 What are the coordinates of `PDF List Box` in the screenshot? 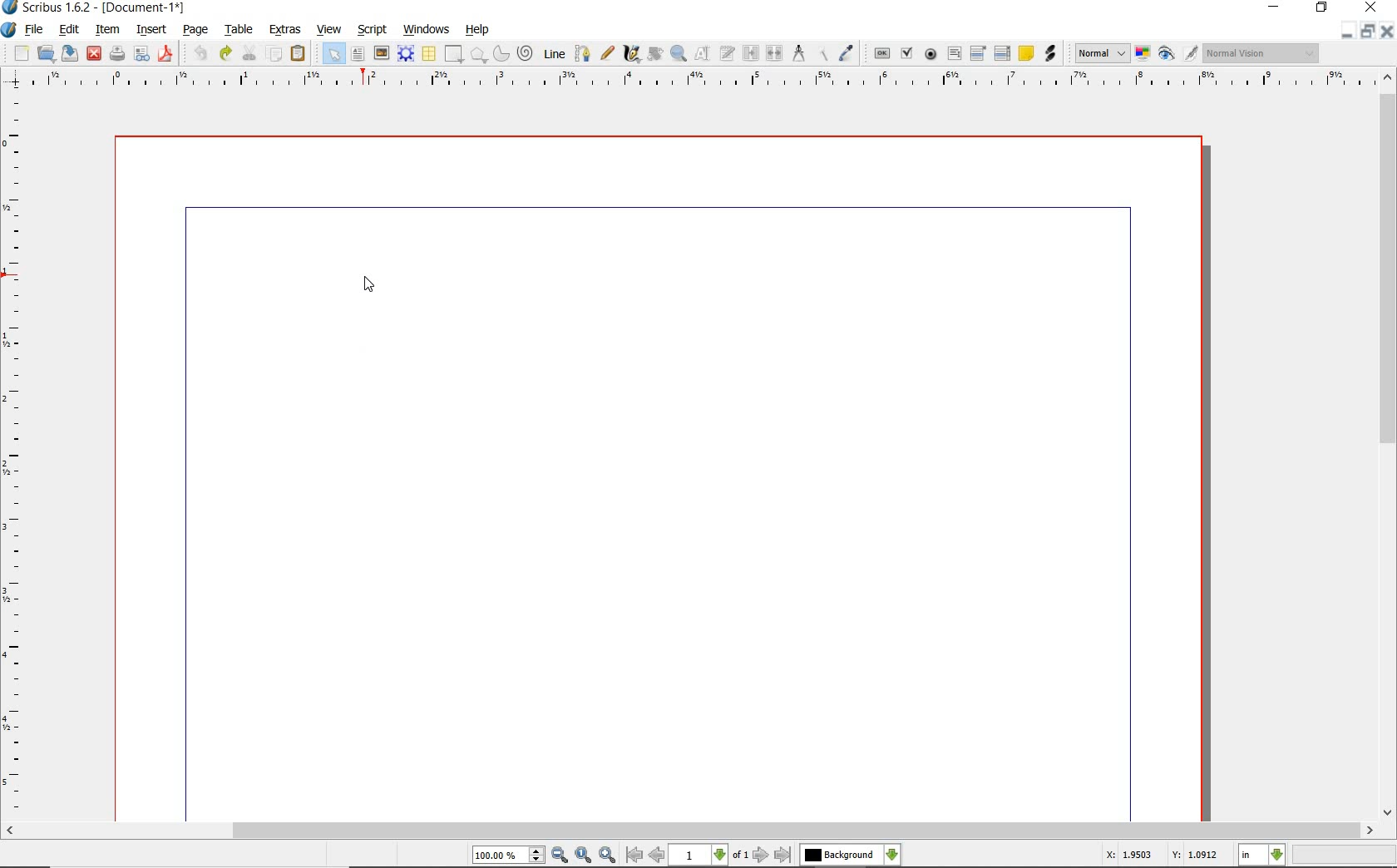 It's located at (1002, 53).